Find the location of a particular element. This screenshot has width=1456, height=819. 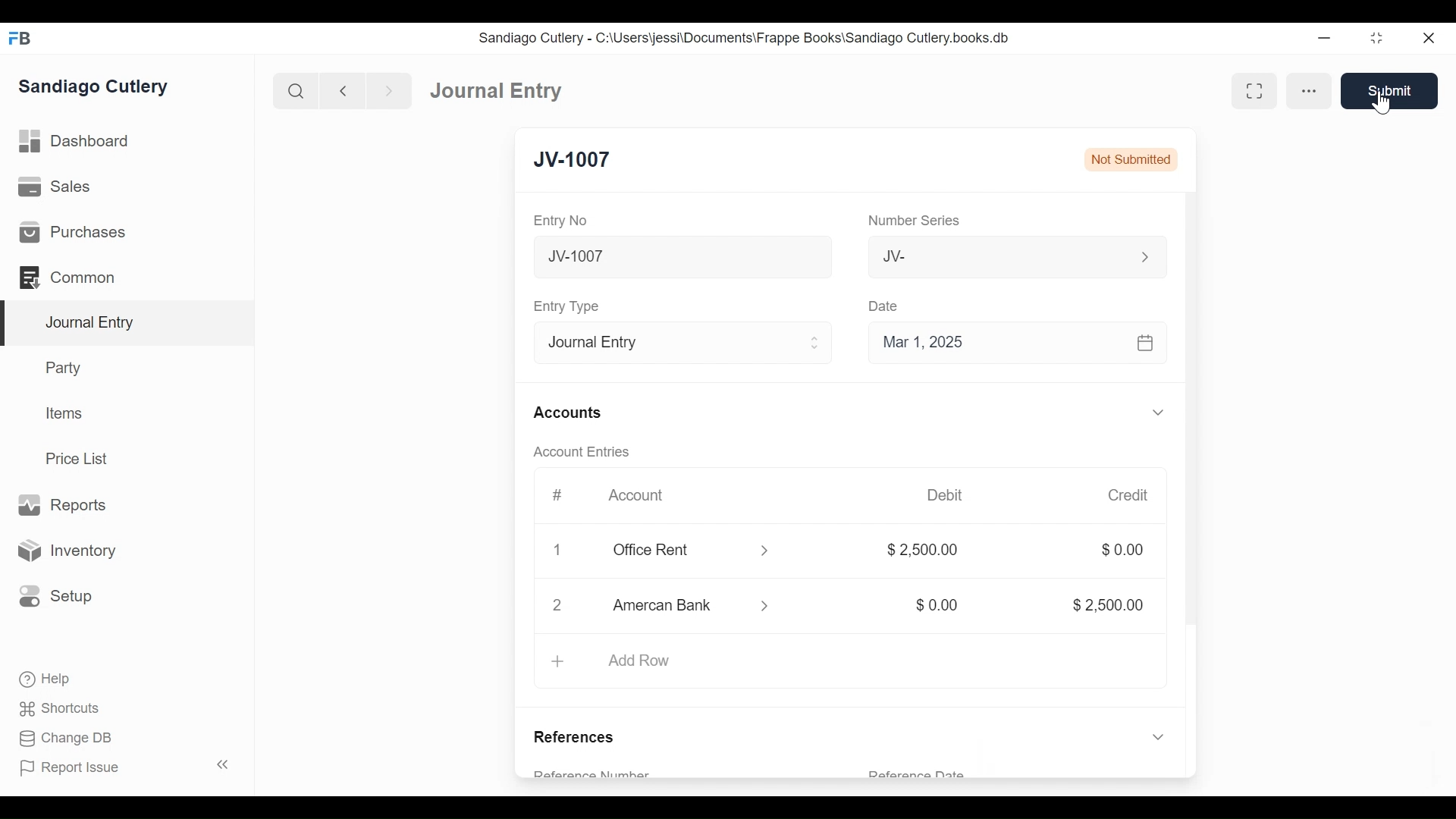

FrappeBooks logo is located at coordinates (19, 38).